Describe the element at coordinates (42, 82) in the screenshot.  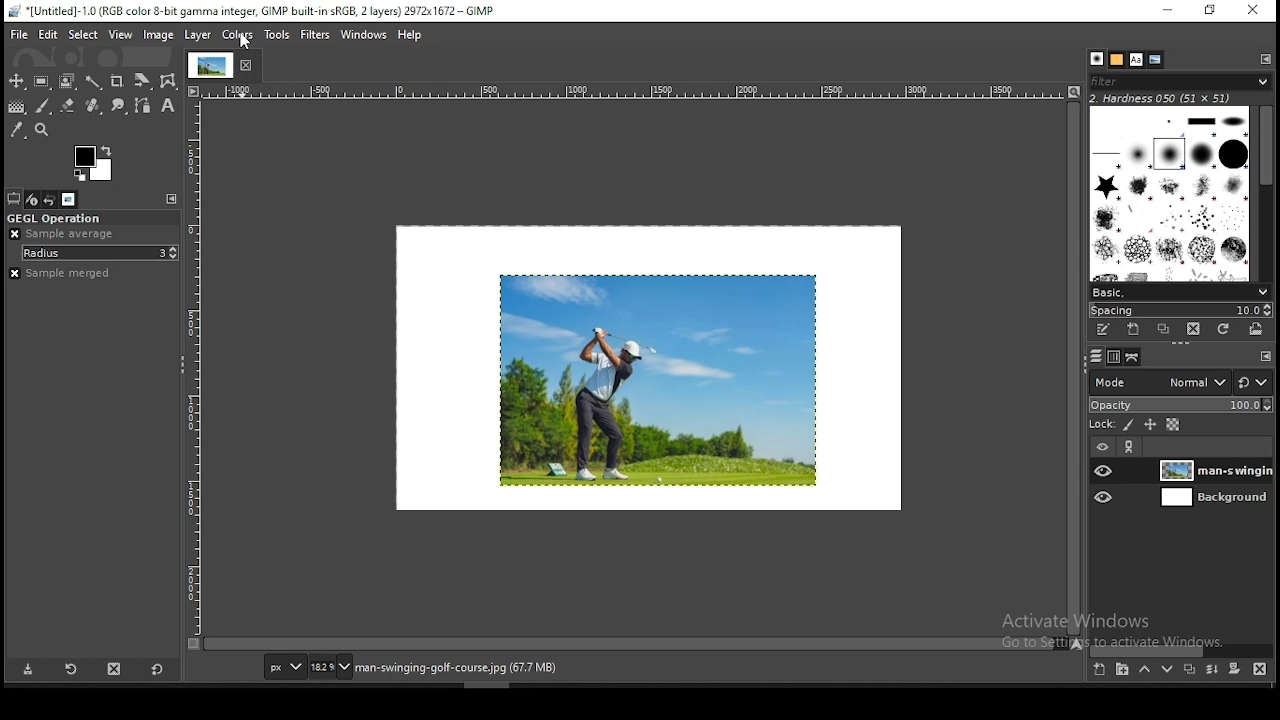
I see `rectangular selection tool` at that location.